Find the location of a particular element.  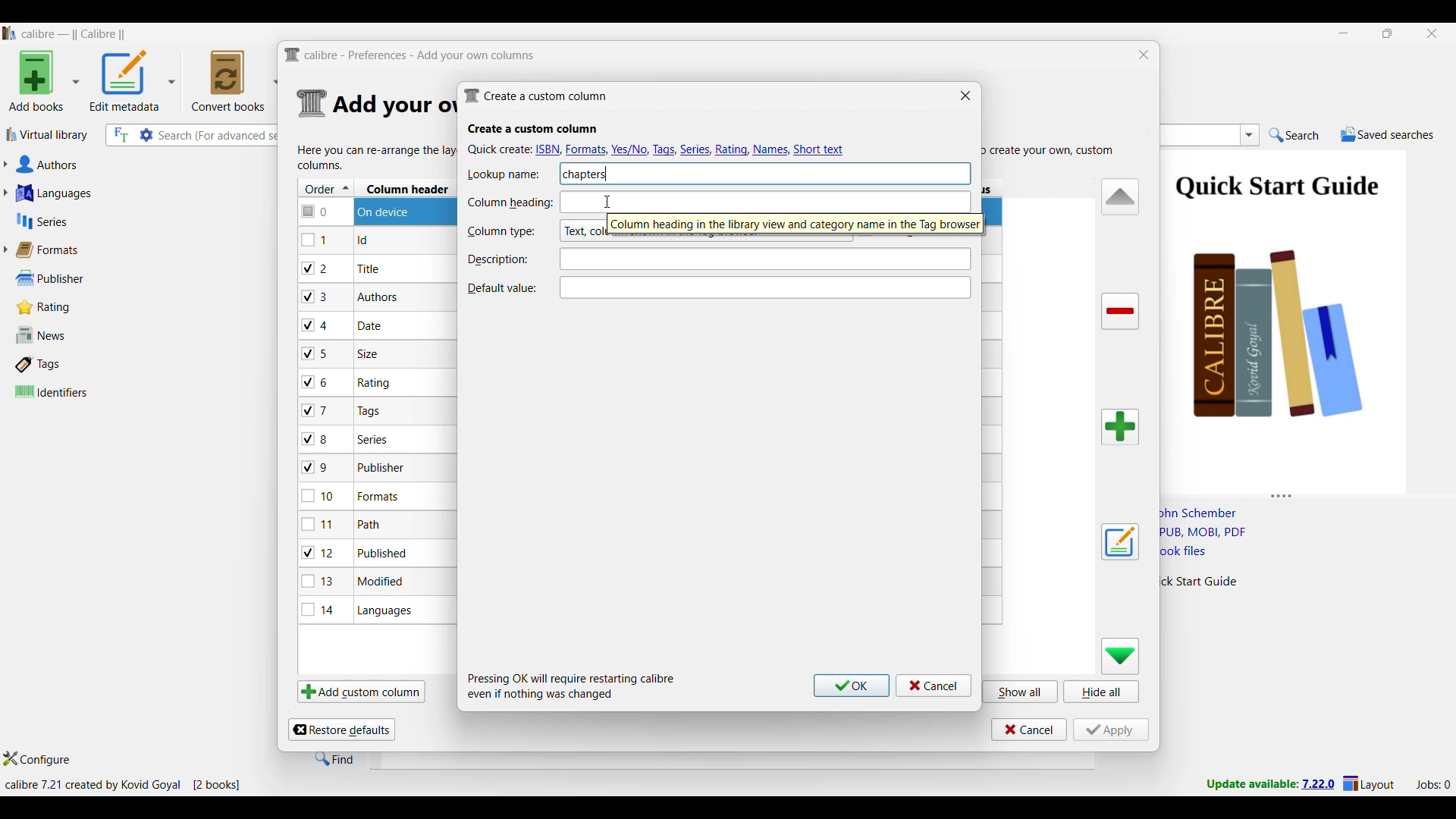

Input search here is located at coordinates (220, 136).